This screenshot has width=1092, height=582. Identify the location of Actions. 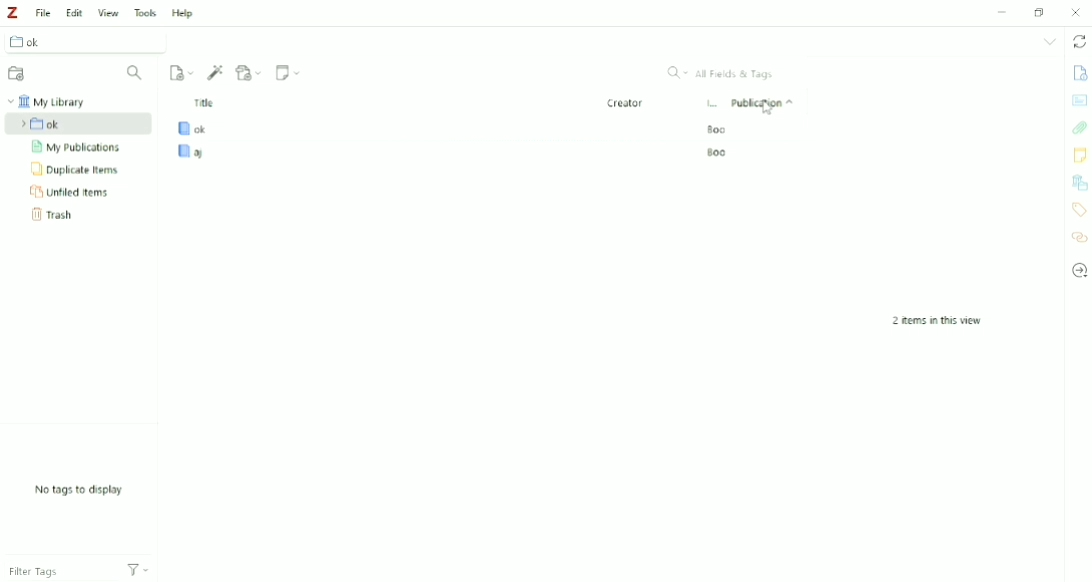
(137, 570).